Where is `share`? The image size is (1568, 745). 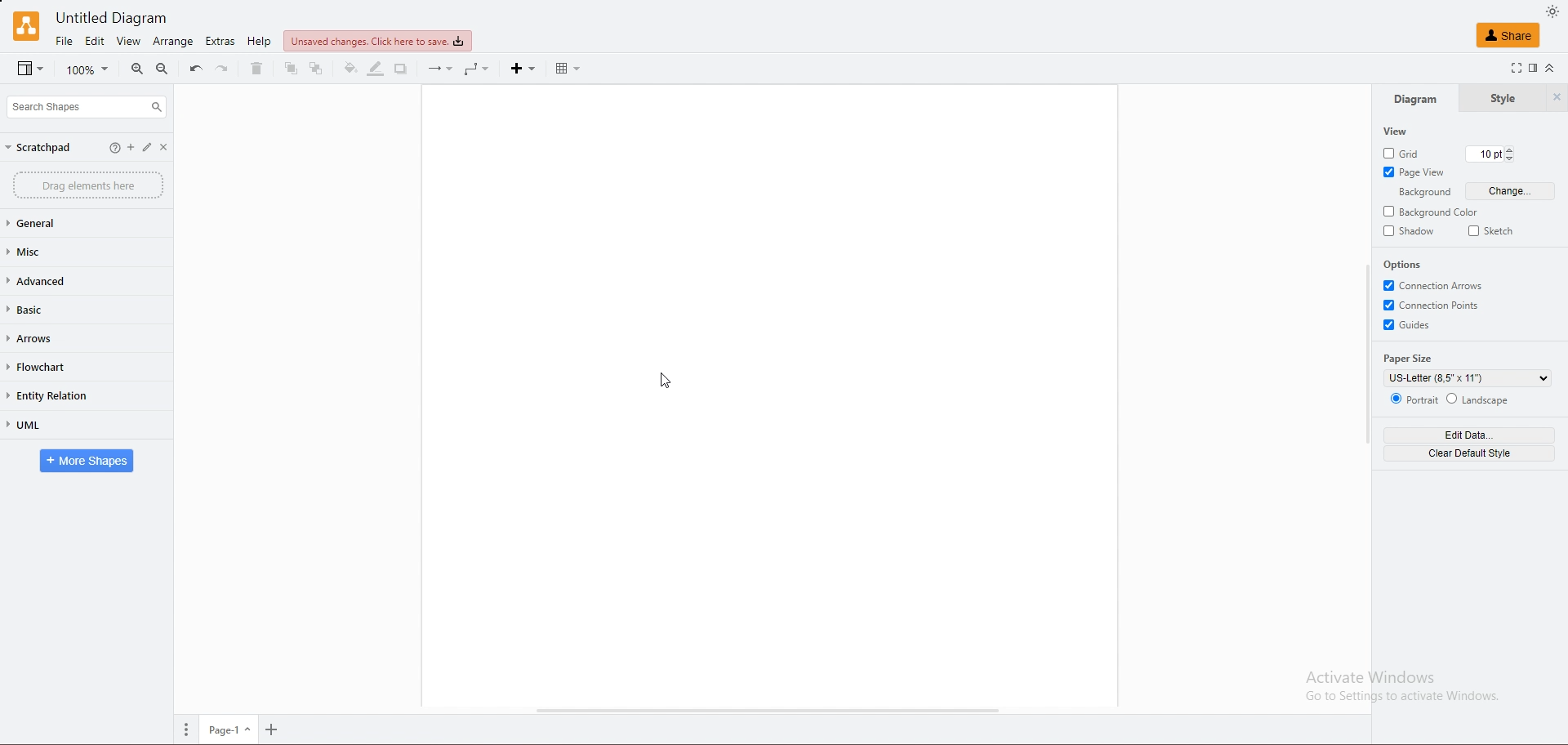 share is located at coordinates (1508, 36).